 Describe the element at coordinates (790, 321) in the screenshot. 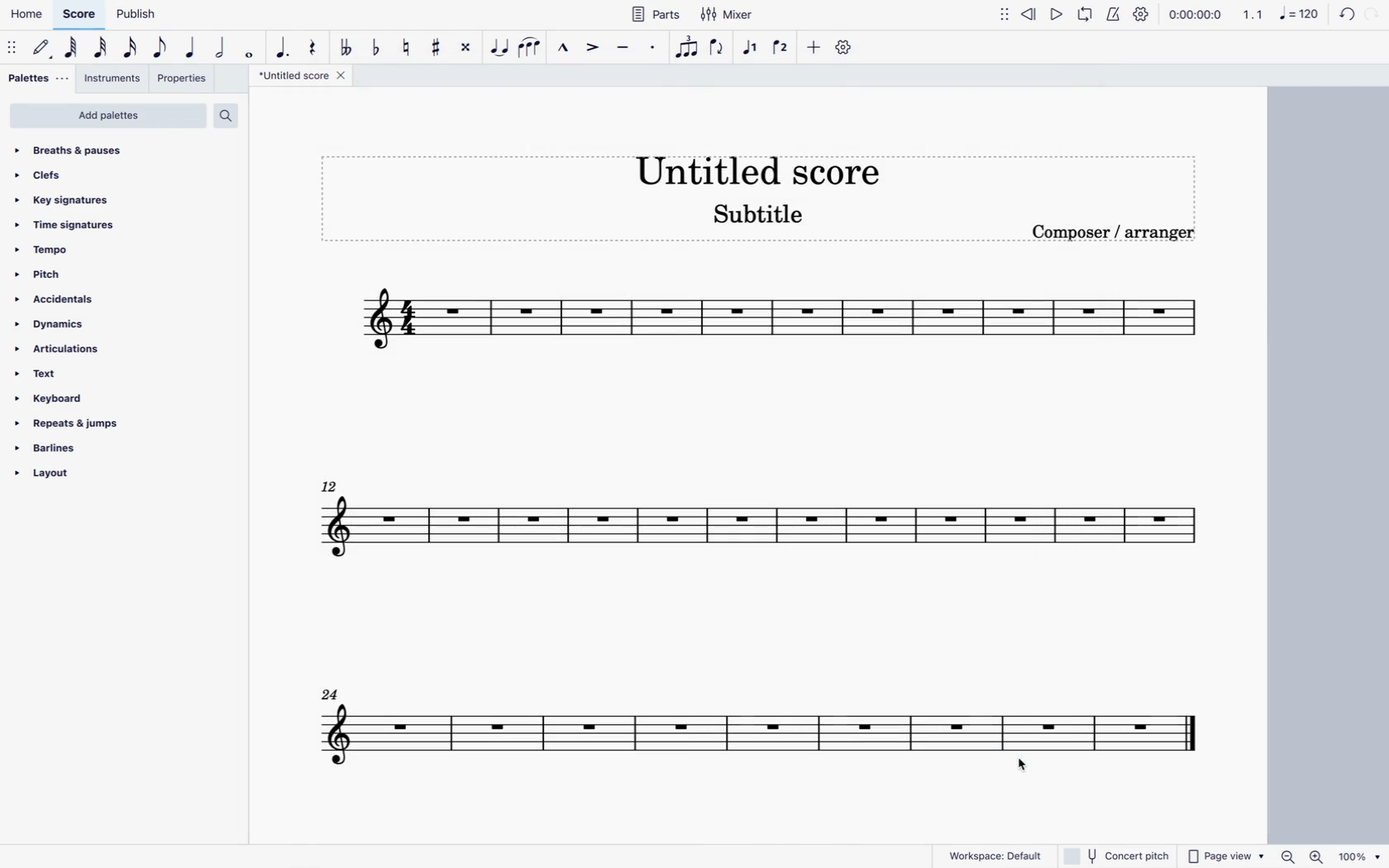

I see `score` at that location.